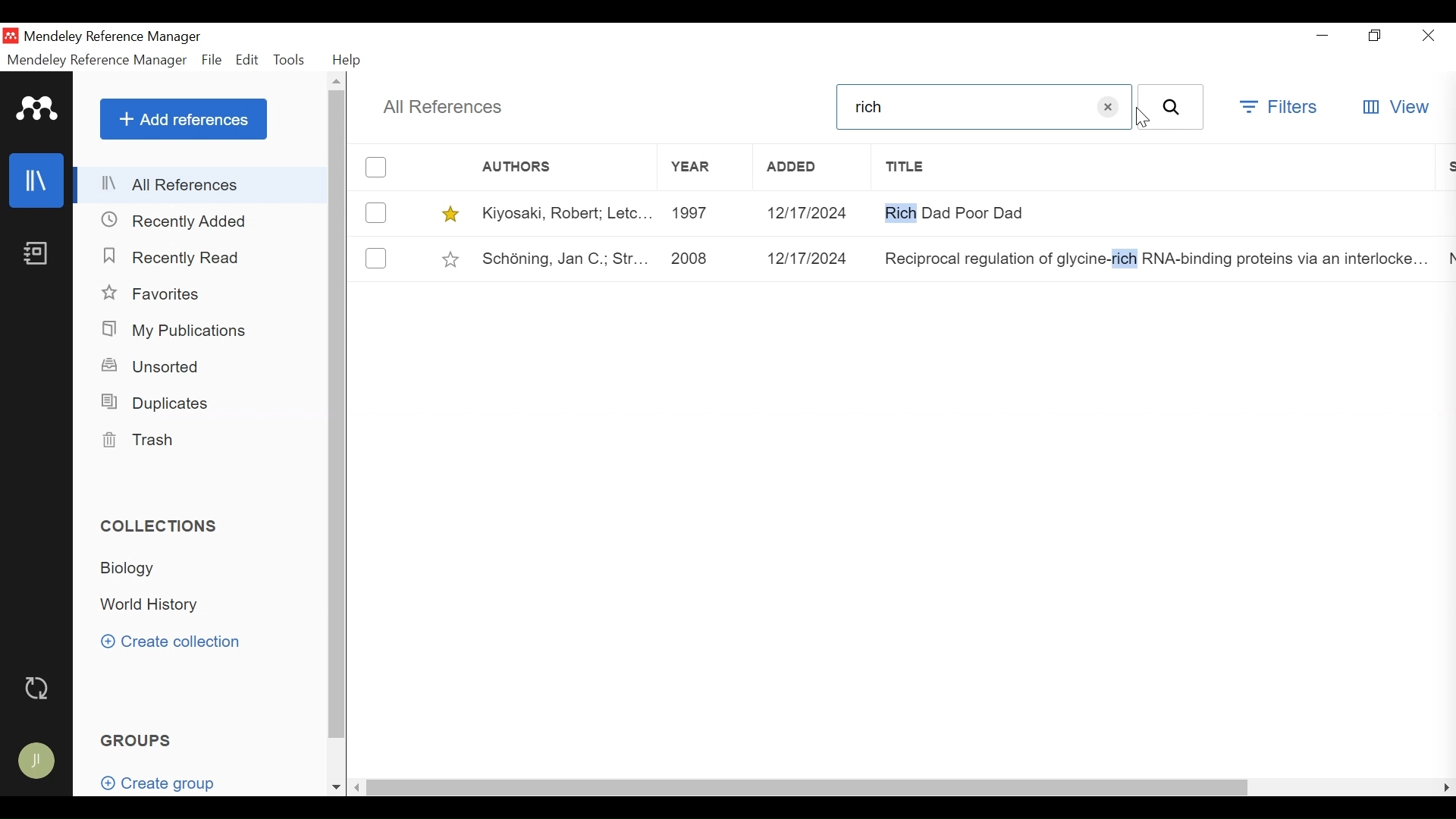 This screenshot has height=819, width=1456. Describe the element at coordinates (290, 59) in the screenshot. I see `Tools` at that location.